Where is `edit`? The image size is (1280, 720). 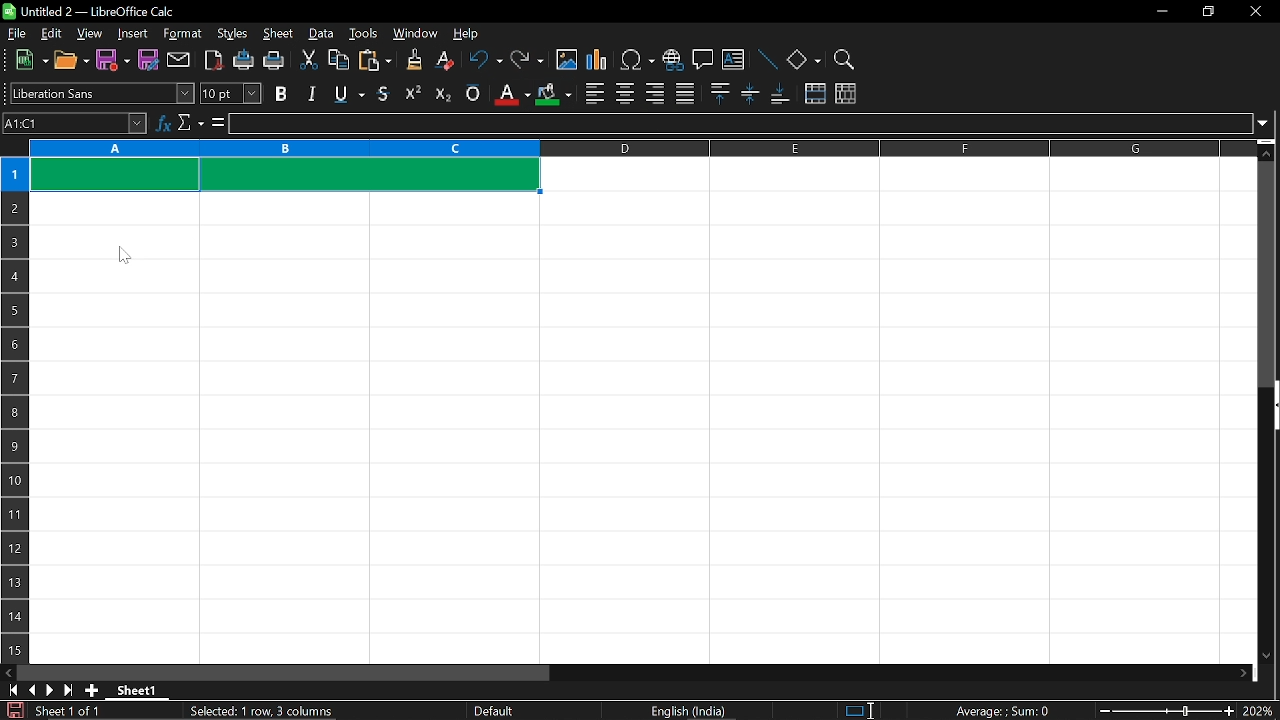
edit is located at coordinates (48, 34).